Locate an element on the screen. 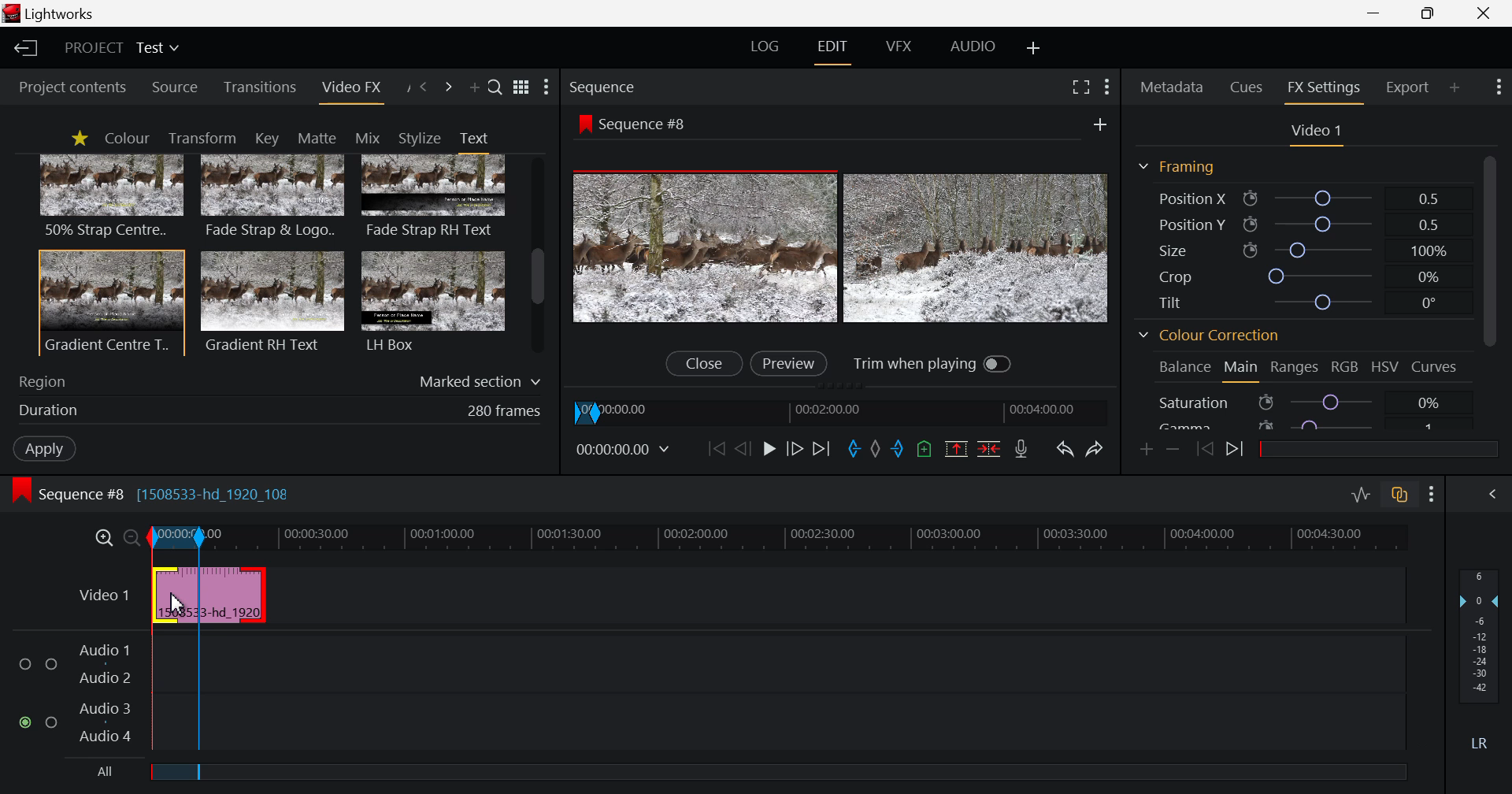 The width and height of the screenshot is (1512, 794). Apply is located at coordinates (41, 447).